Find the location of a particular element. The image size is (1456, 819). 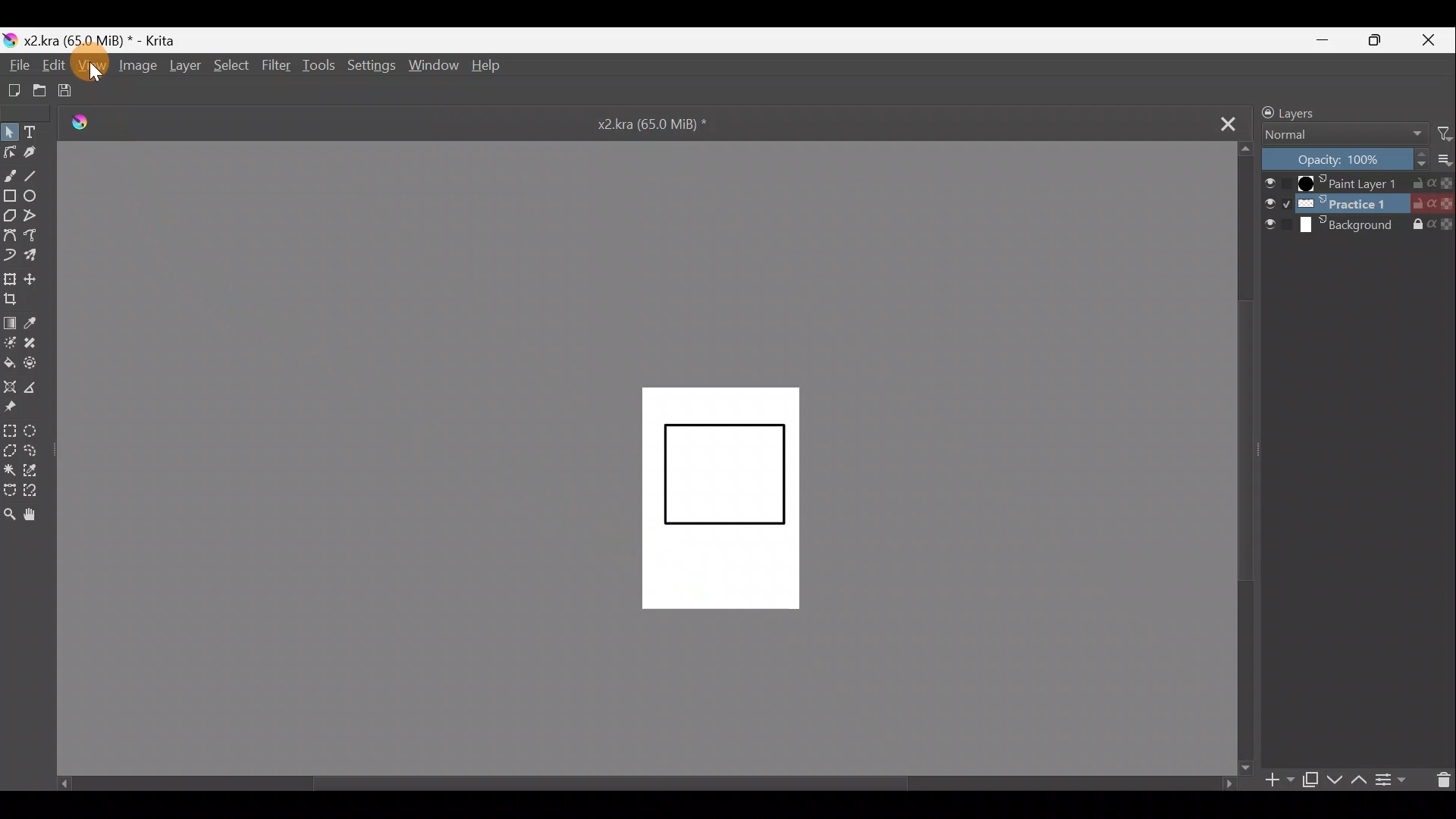

Freehand path tool is located at coordinates (38, 235).